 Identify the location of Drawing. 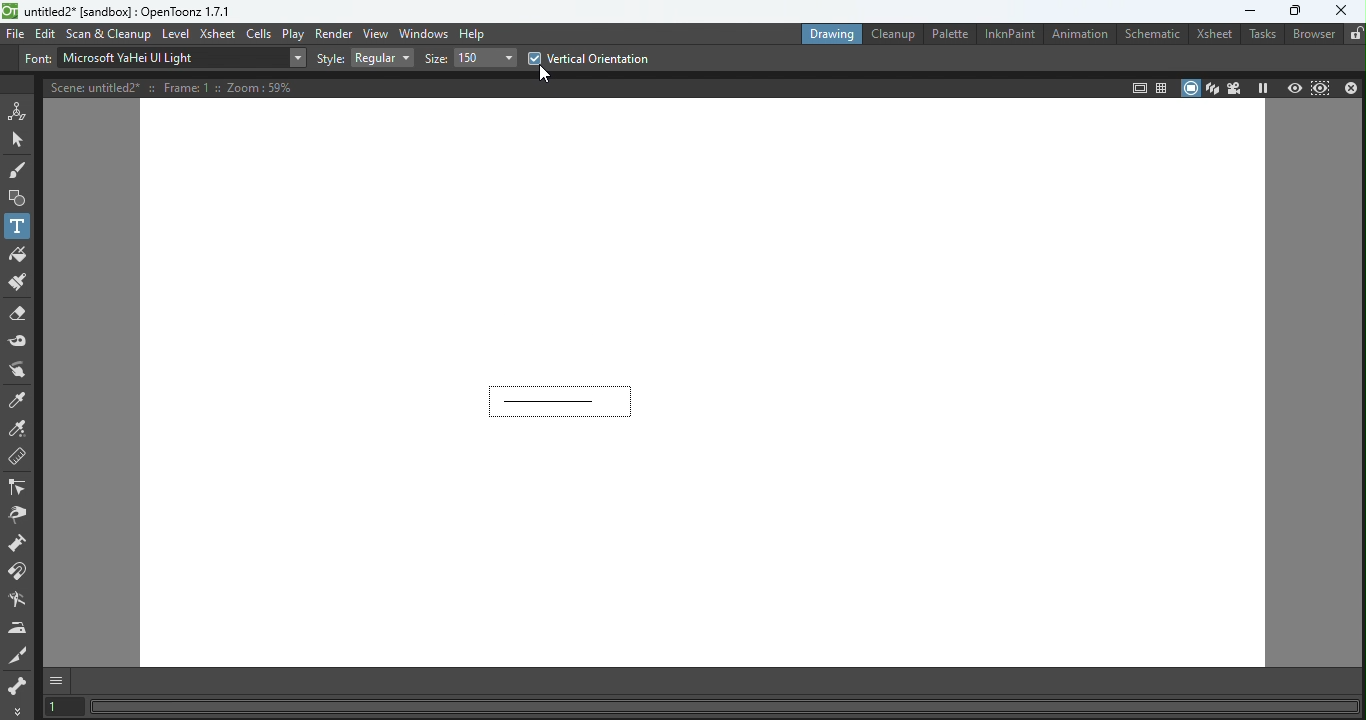
(832, 33).